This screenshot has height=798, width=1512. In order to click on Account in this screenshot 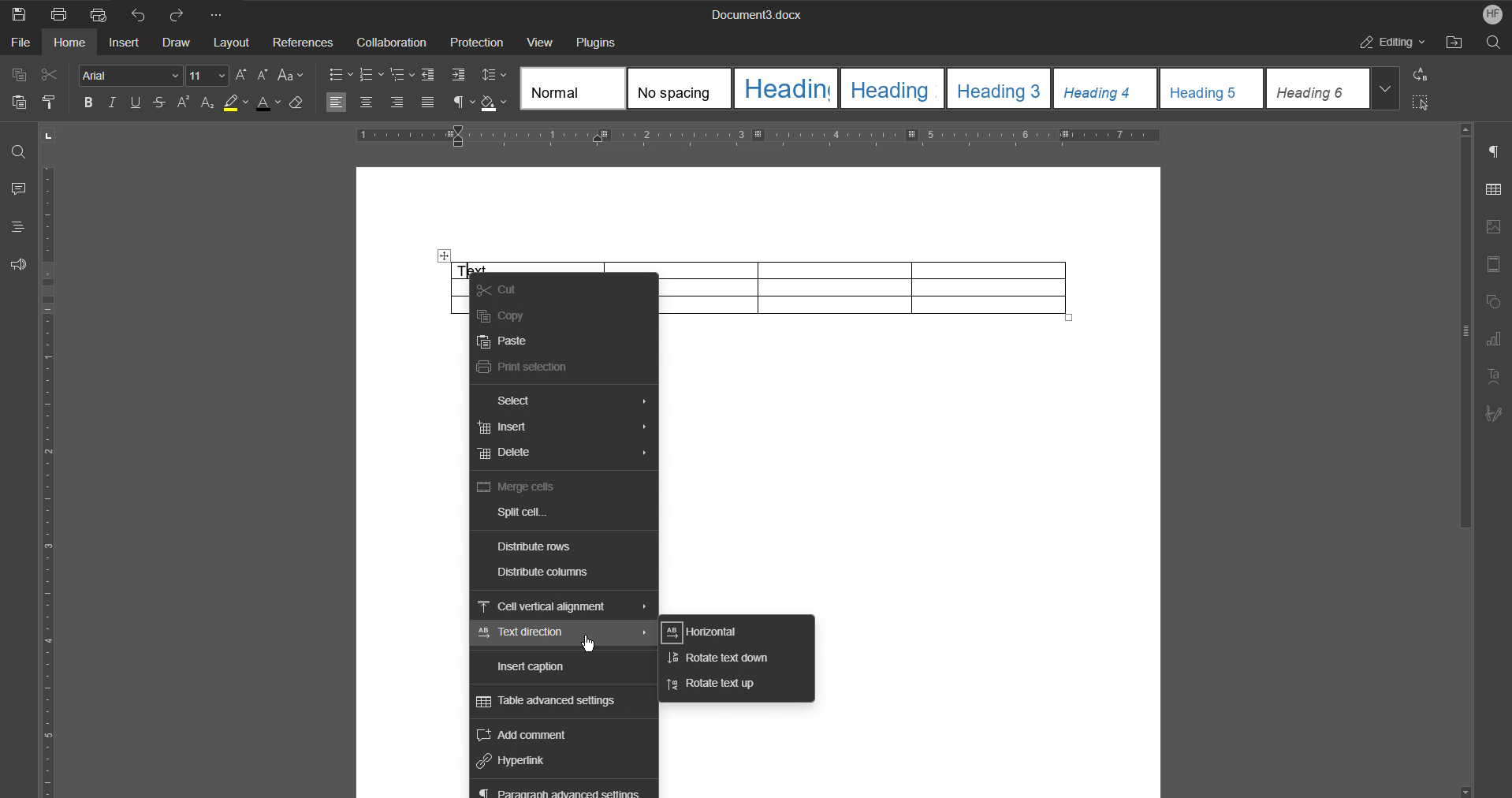, I will do `click(1489, 13)`.